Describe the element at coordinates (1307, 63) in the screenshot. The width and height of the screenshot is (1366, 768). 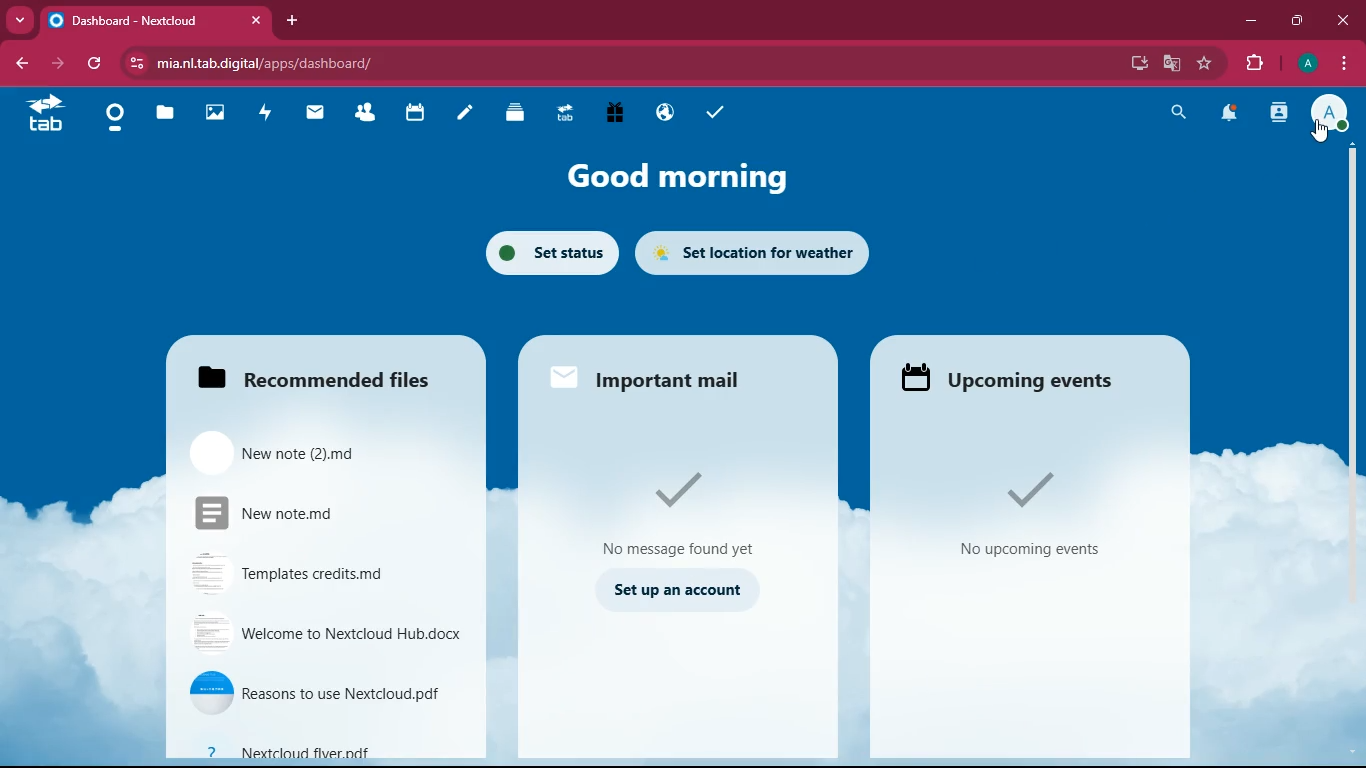
I see `profile` at that location.